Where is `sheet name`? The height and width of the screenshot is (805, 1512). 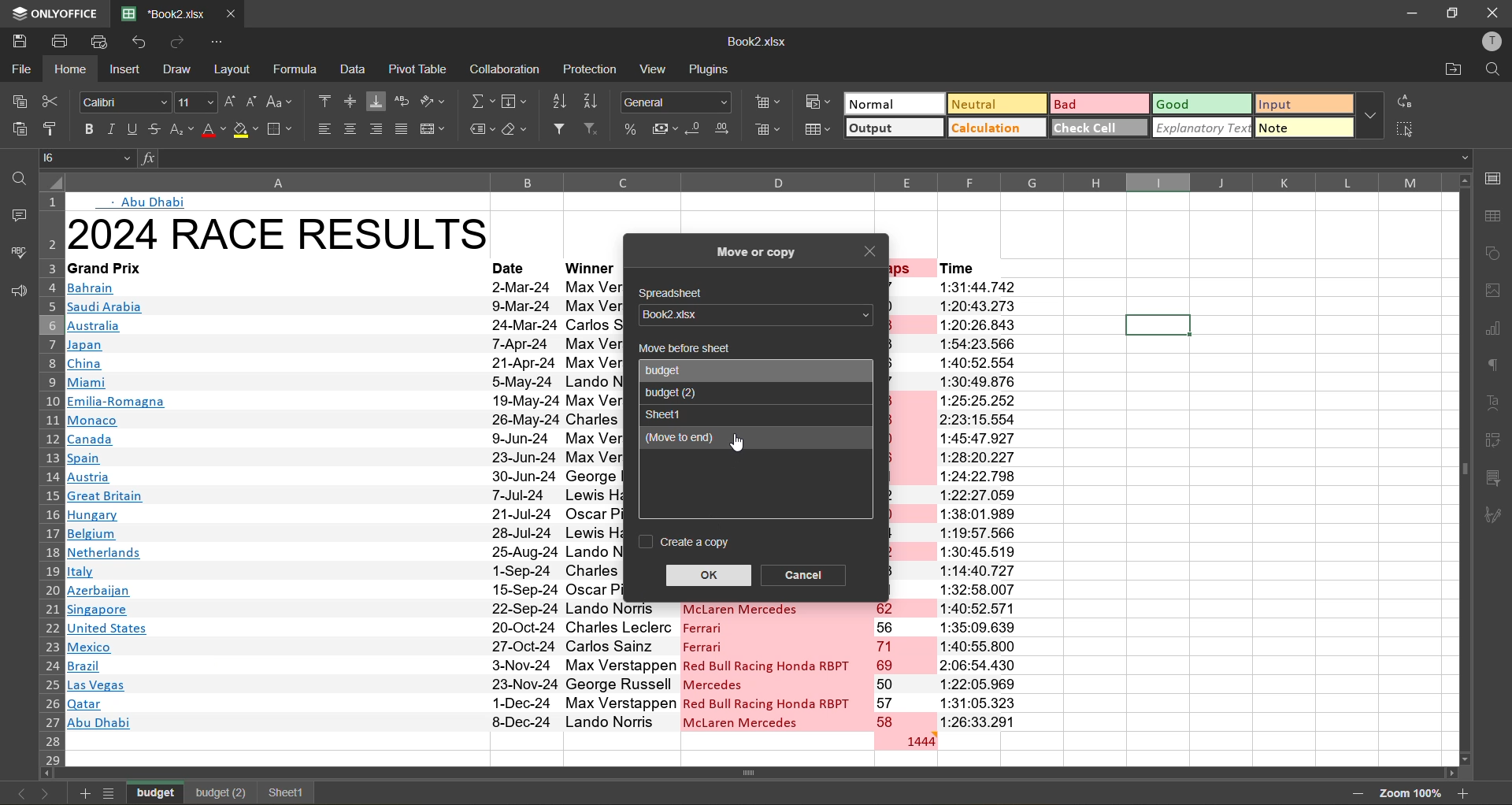
sheet name is located at coordinates (673, 392).